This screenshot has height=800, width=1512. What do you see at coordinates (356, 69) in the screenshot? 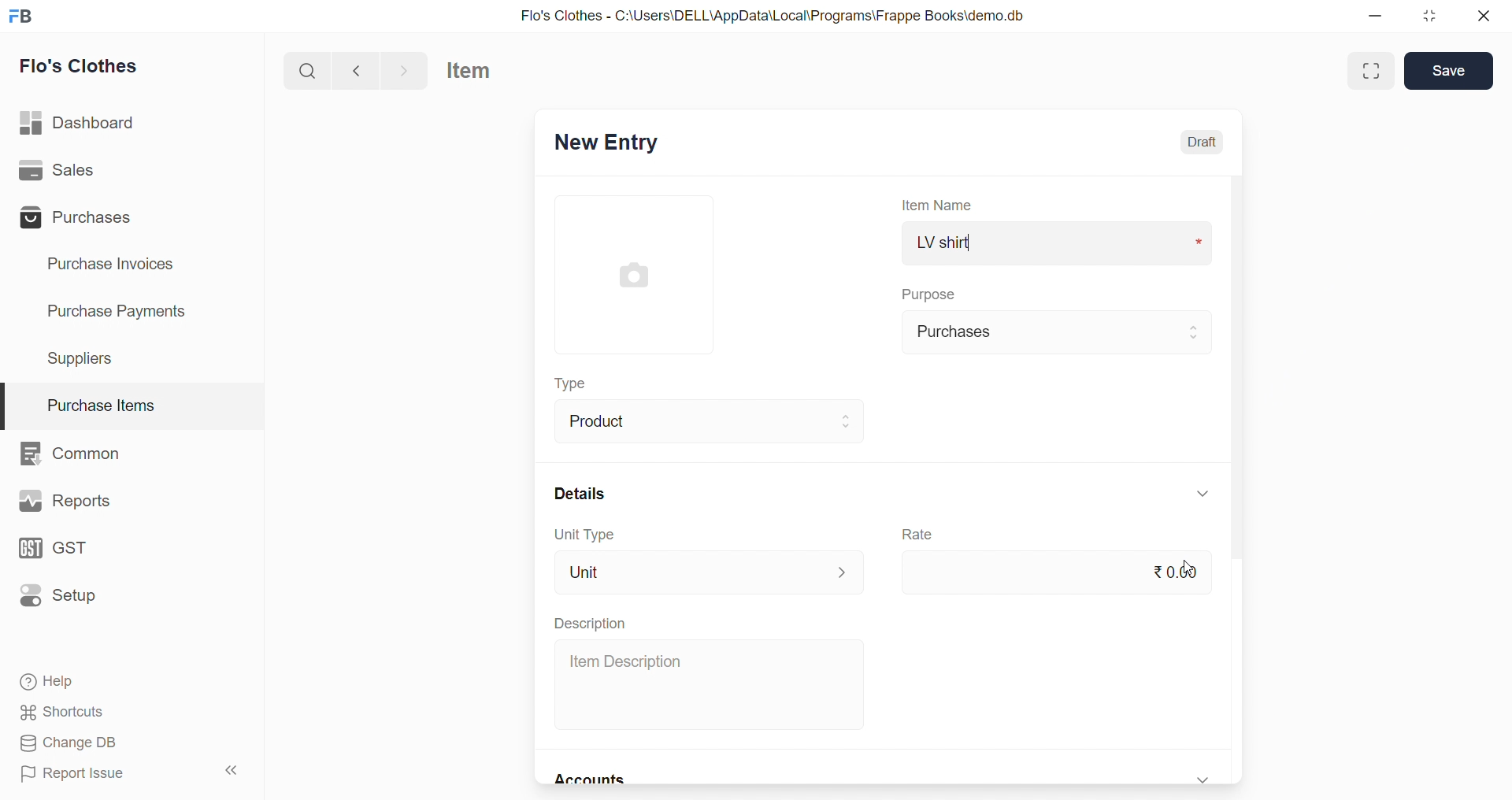
I see `navigate backward` at bounding box center [356, 69].